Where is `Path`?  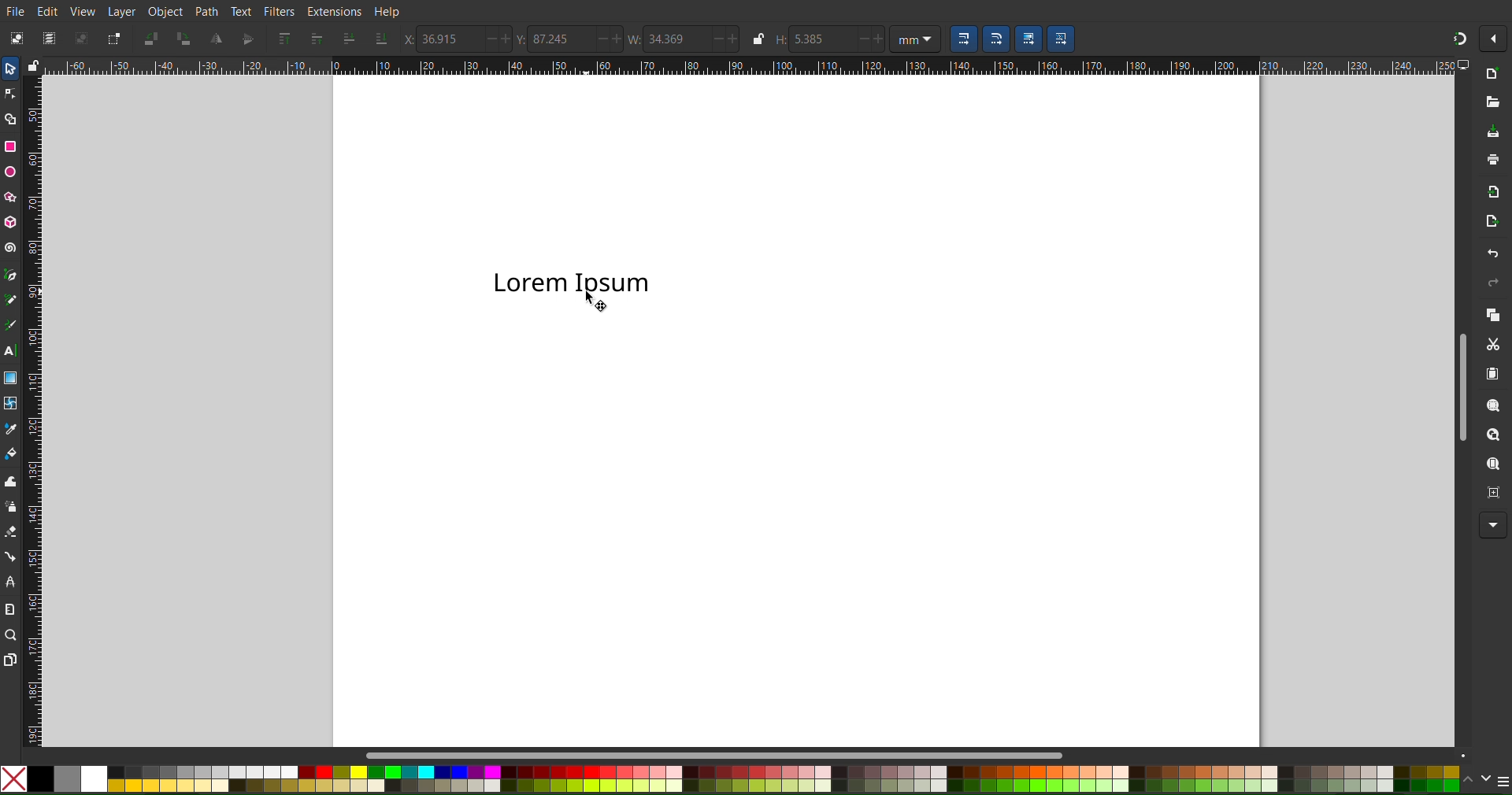
Path is located at coordinates (207, 11).